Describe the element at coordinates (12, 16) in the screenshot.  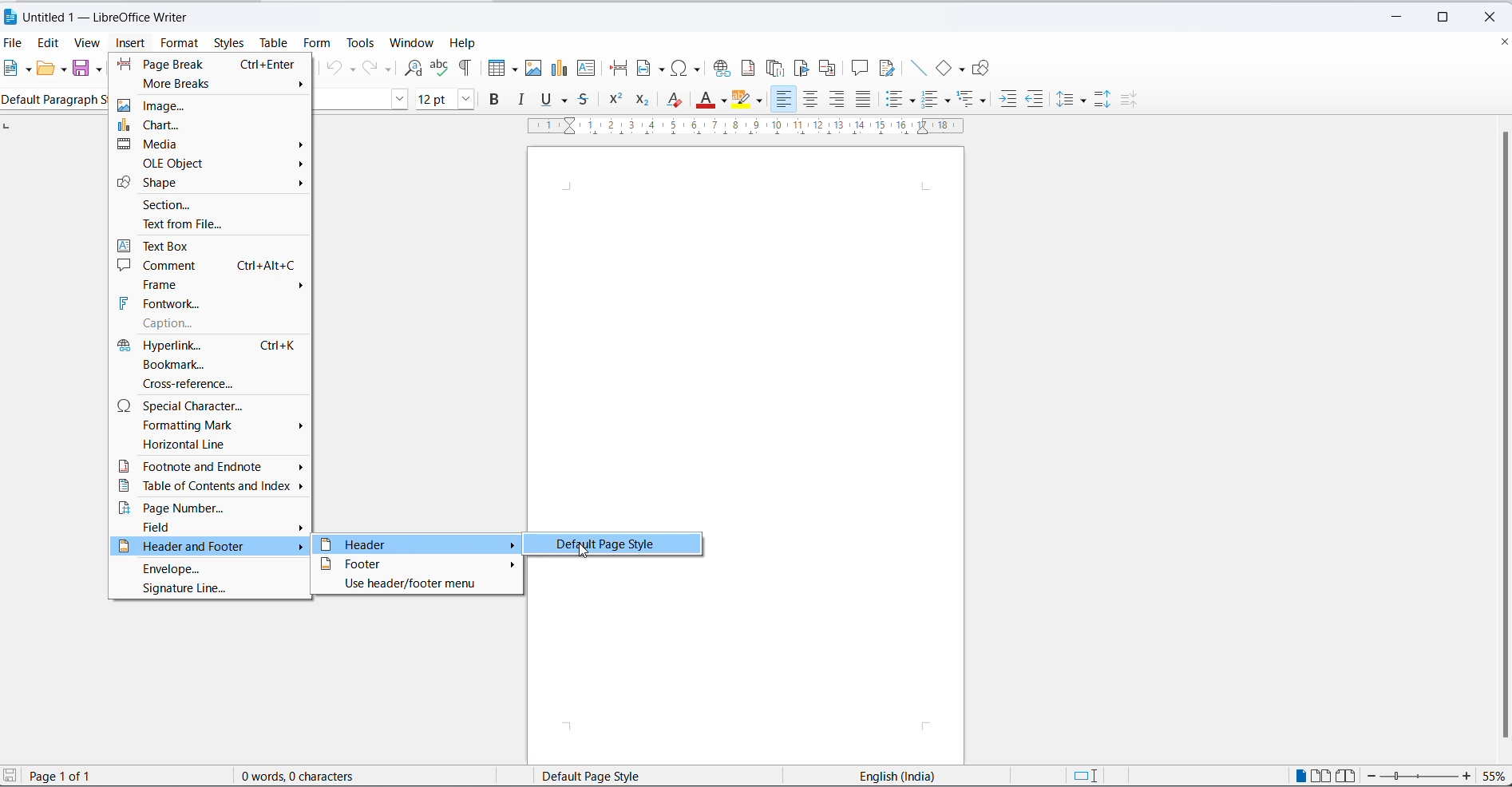
I see `LibreOffice Icon` at that location.